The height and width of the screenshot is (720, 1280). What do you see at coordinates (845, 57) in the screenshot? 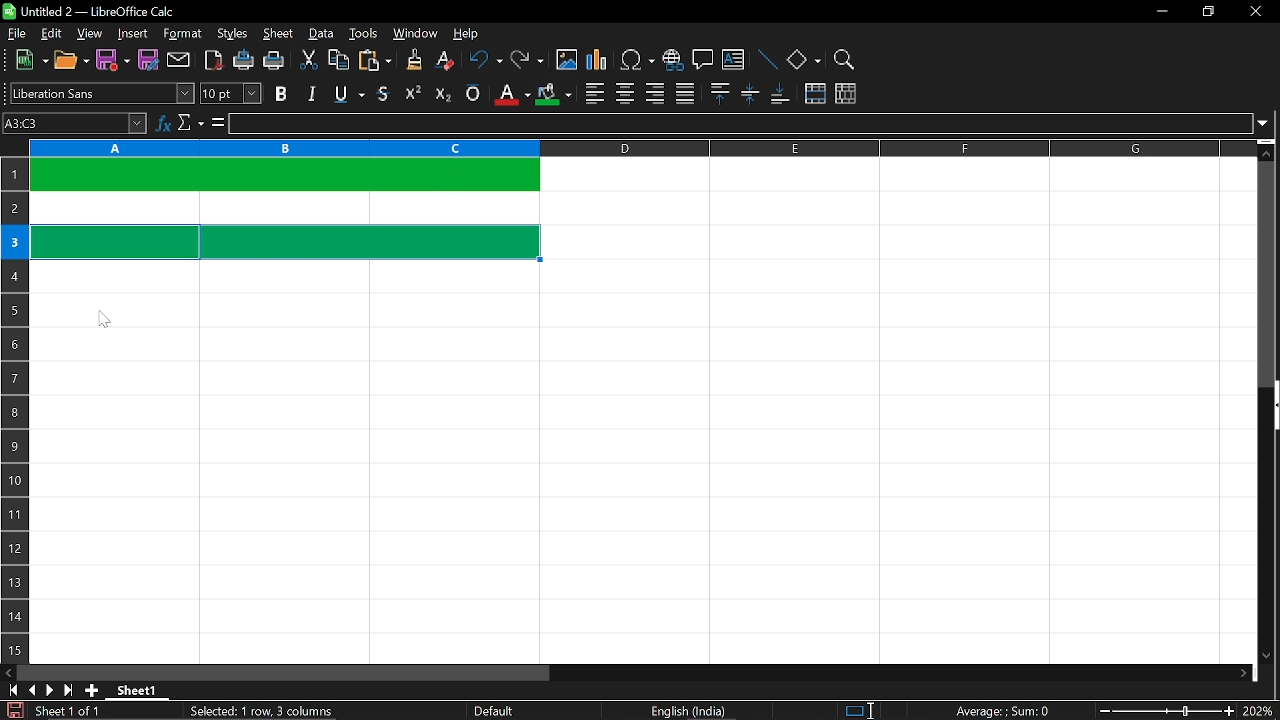
I see `zoom` at bounding box center [845, 57].